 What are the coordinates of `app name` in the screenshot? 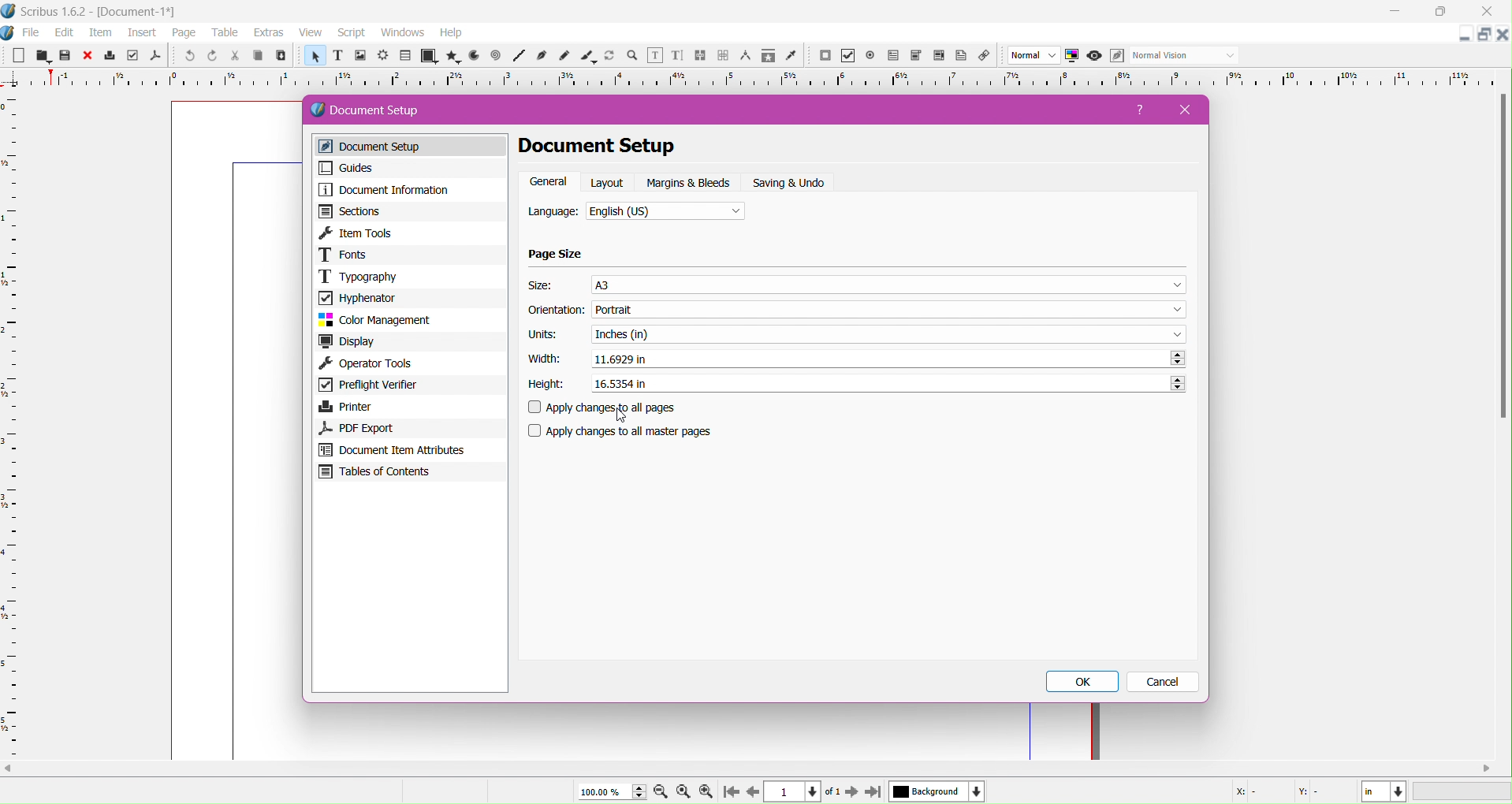 It's located at (54, 13).